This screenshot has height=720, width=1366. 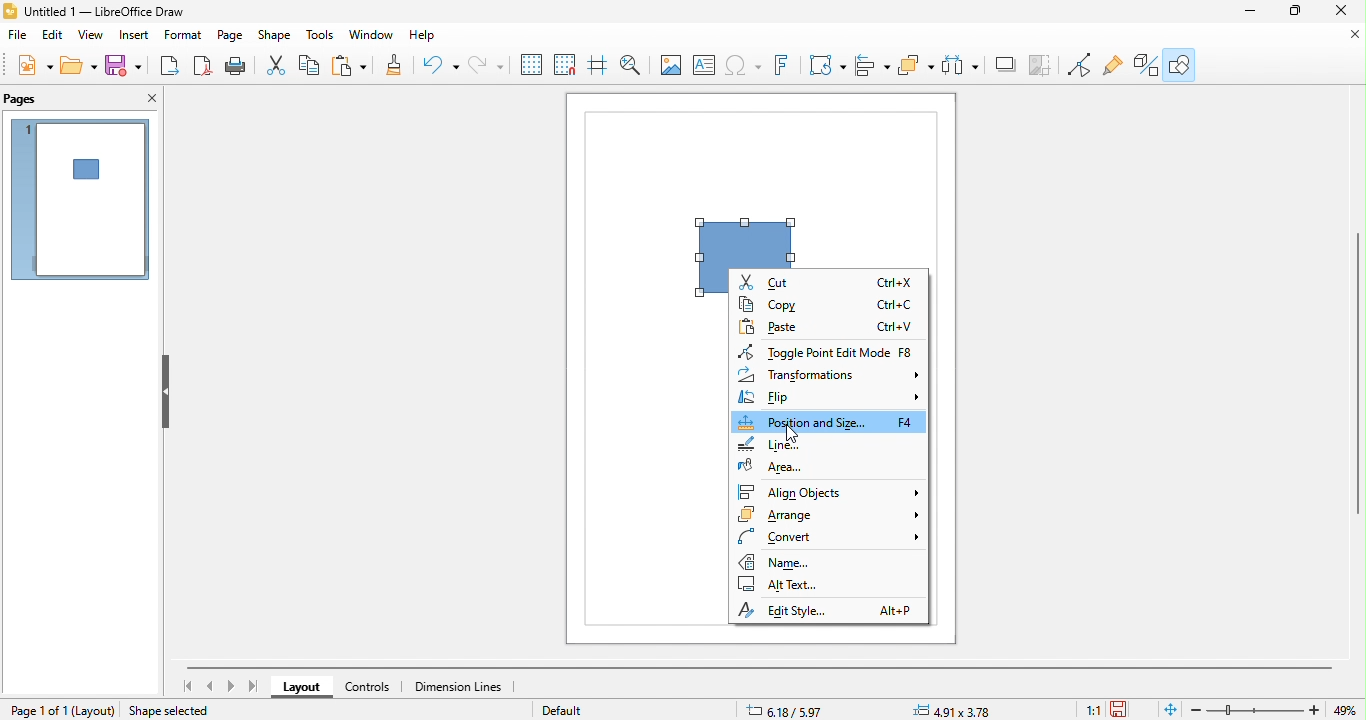 What do you see at coordinates (917, 65) in the screenshot?
I see `select at least three object to distribute` at bounding box center [917, 65].